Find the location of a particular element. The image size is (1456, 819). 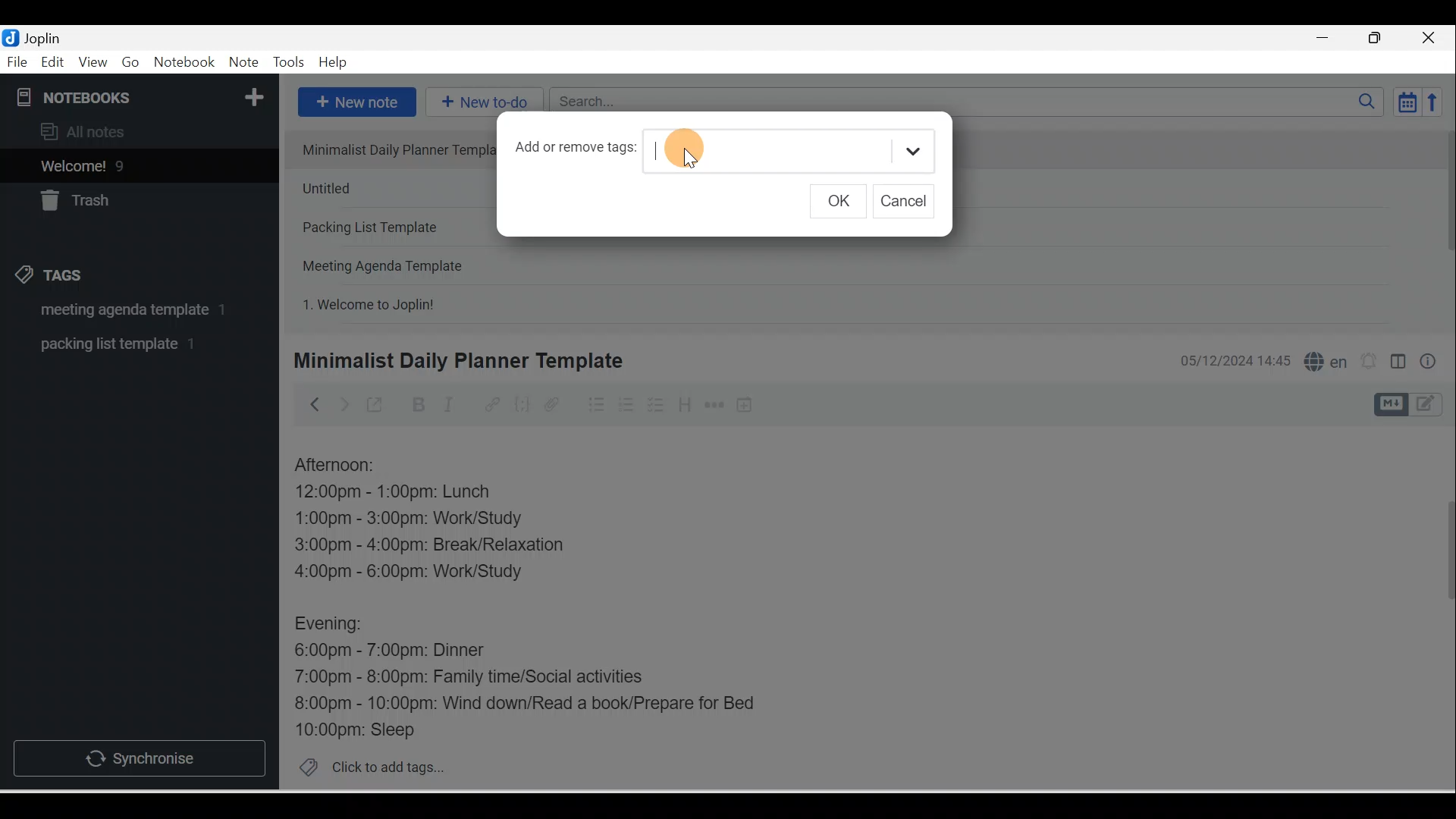

New note is located at coordinates (354, 103).